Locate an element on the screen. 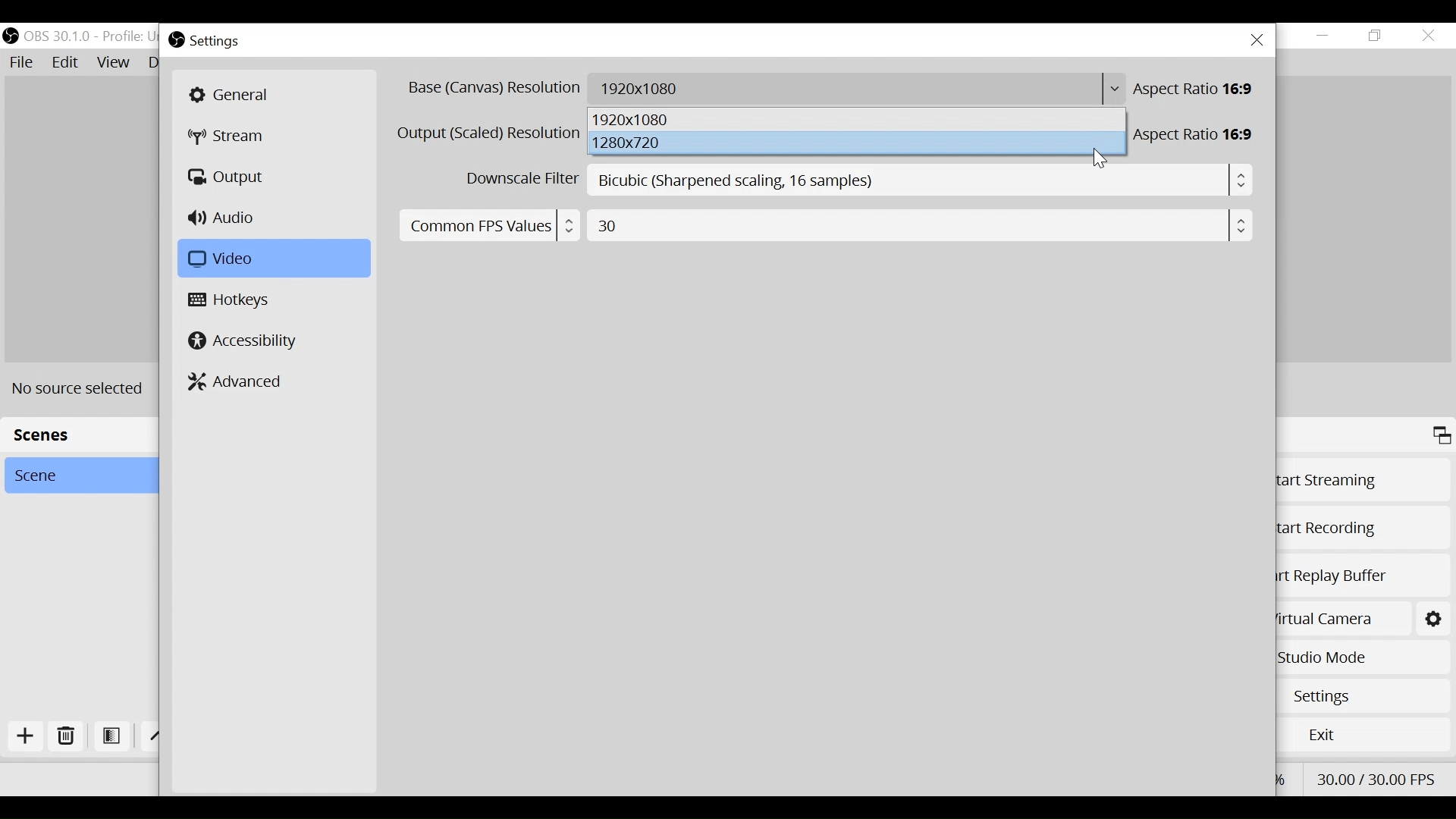 The height and width of the screenshot is (819, 1456). FPS is located at coordinates (1377, 777).